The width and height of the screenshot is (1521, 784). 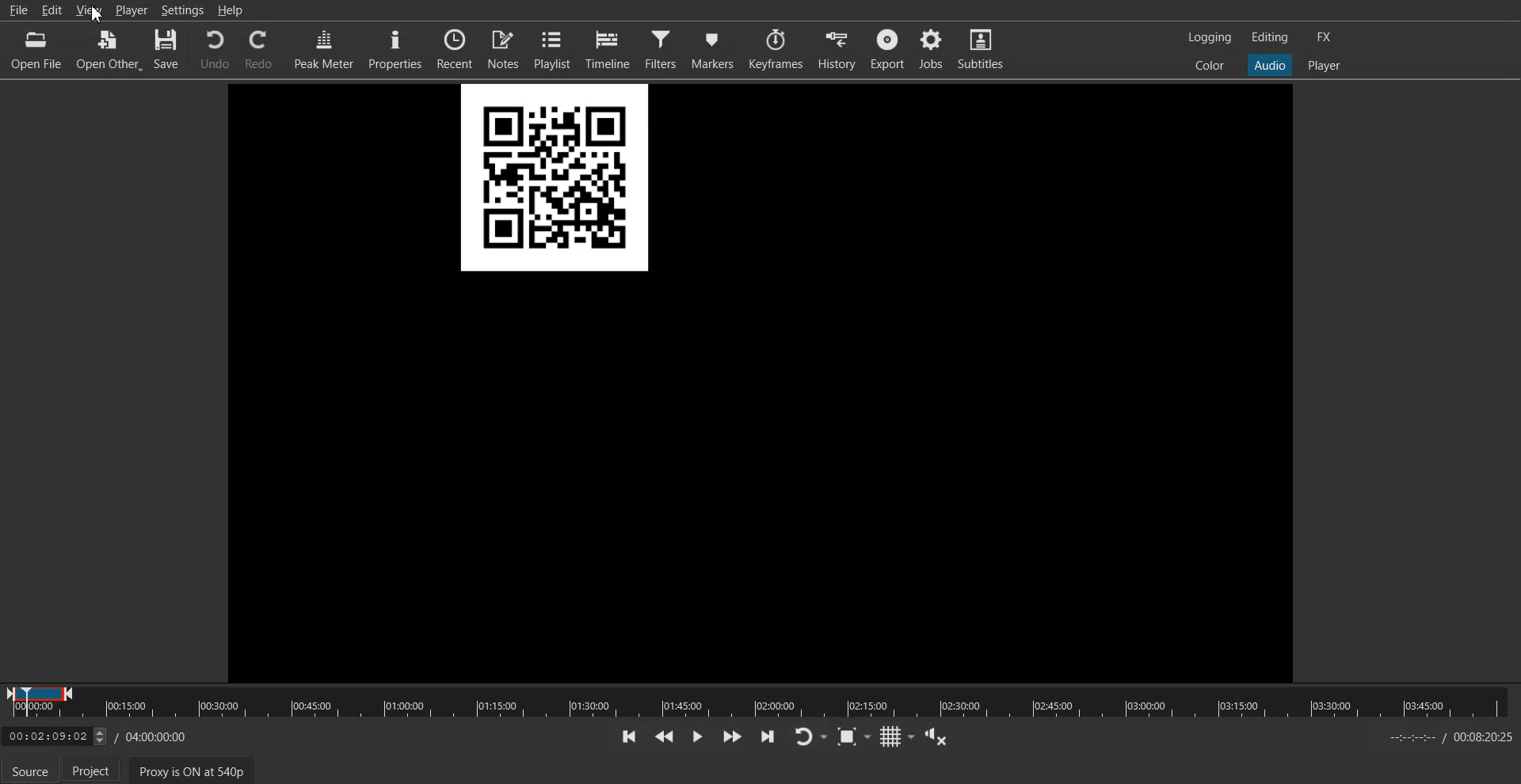 What do you see at coordinates (1210, 38) in the screenshot?
I see `Switch to the logging layout` at bounding box center [1210, 38].